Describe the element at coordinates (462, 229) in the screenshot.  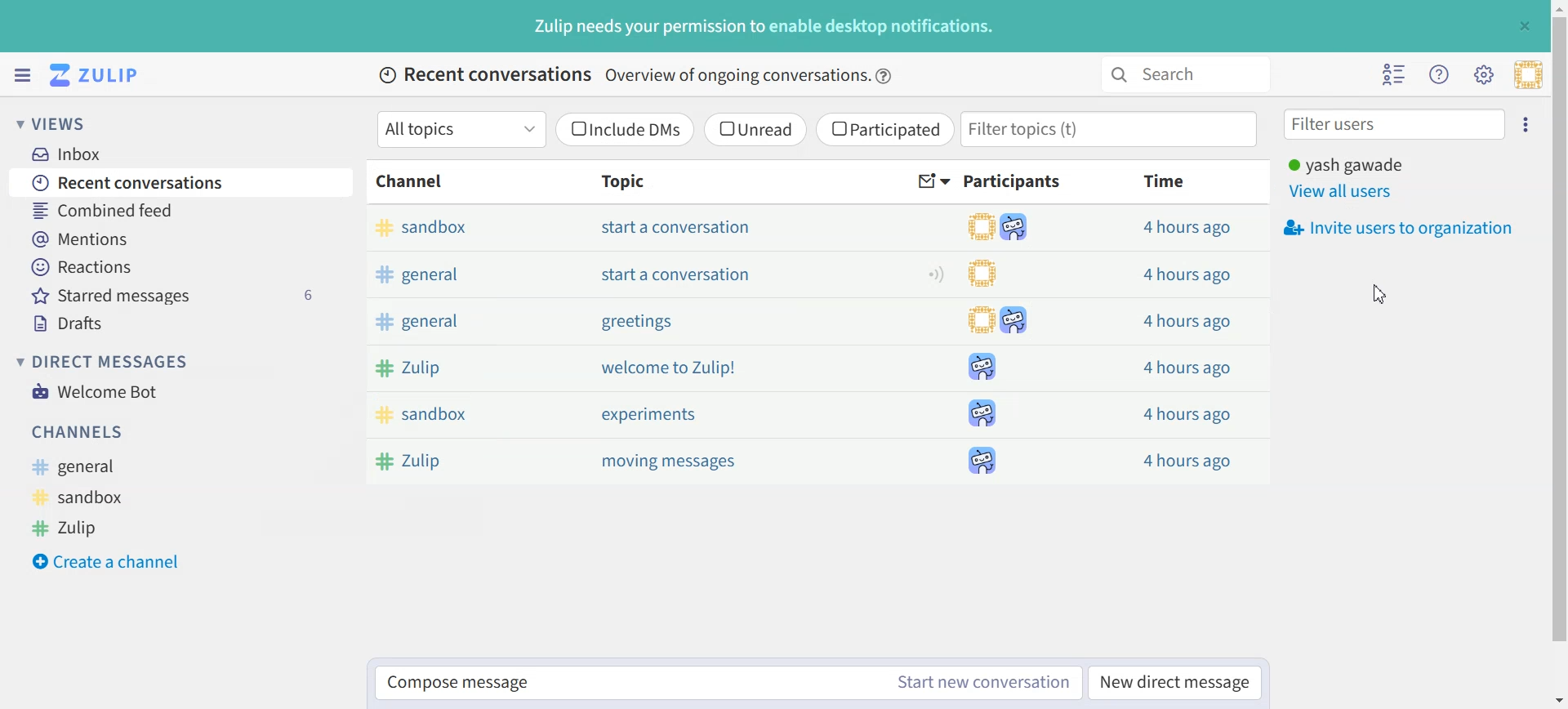
I see `#sandbox` at that location.